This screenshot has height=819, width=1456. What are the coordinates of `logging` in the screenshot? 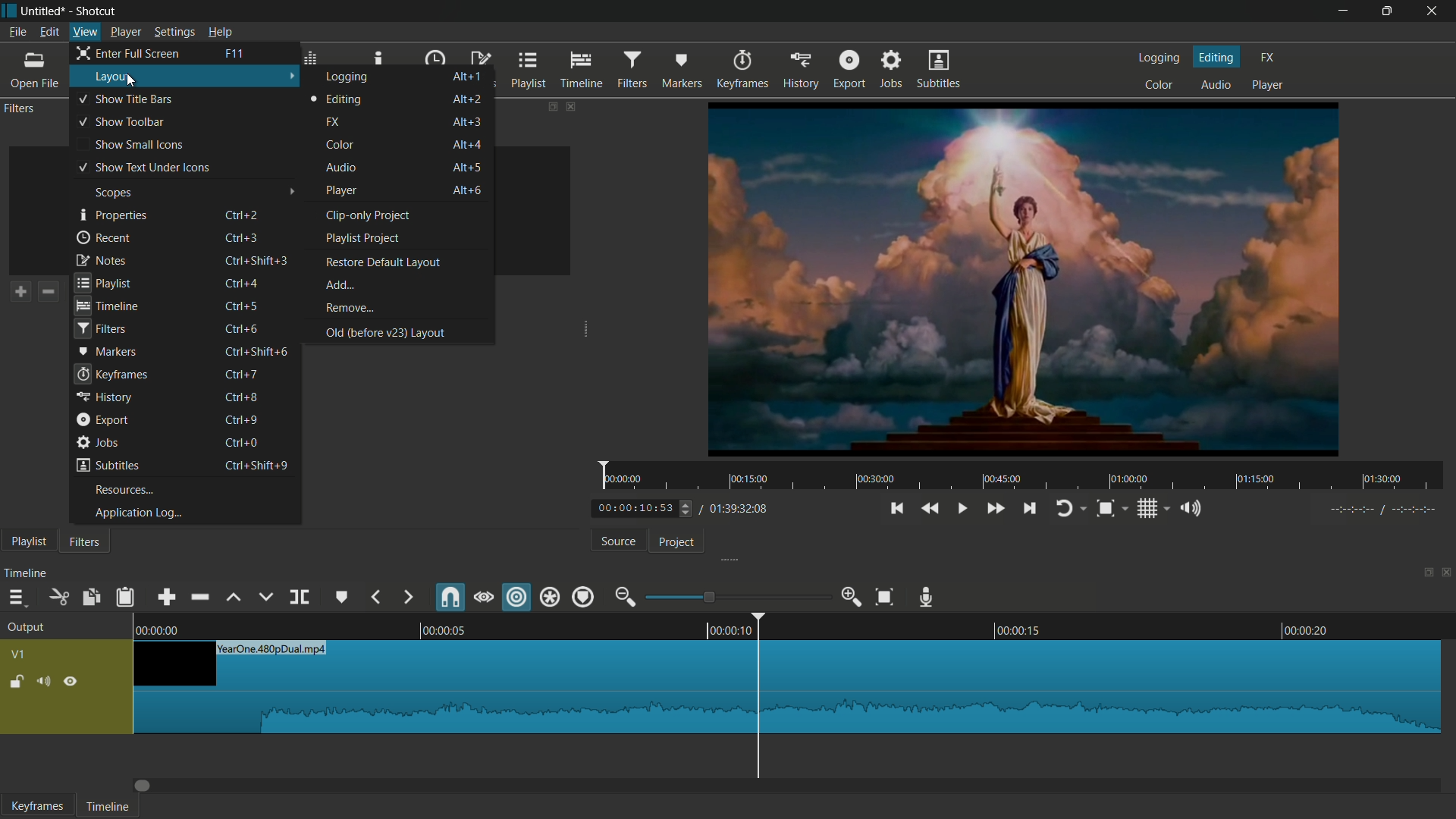 It's located at (348, 77).